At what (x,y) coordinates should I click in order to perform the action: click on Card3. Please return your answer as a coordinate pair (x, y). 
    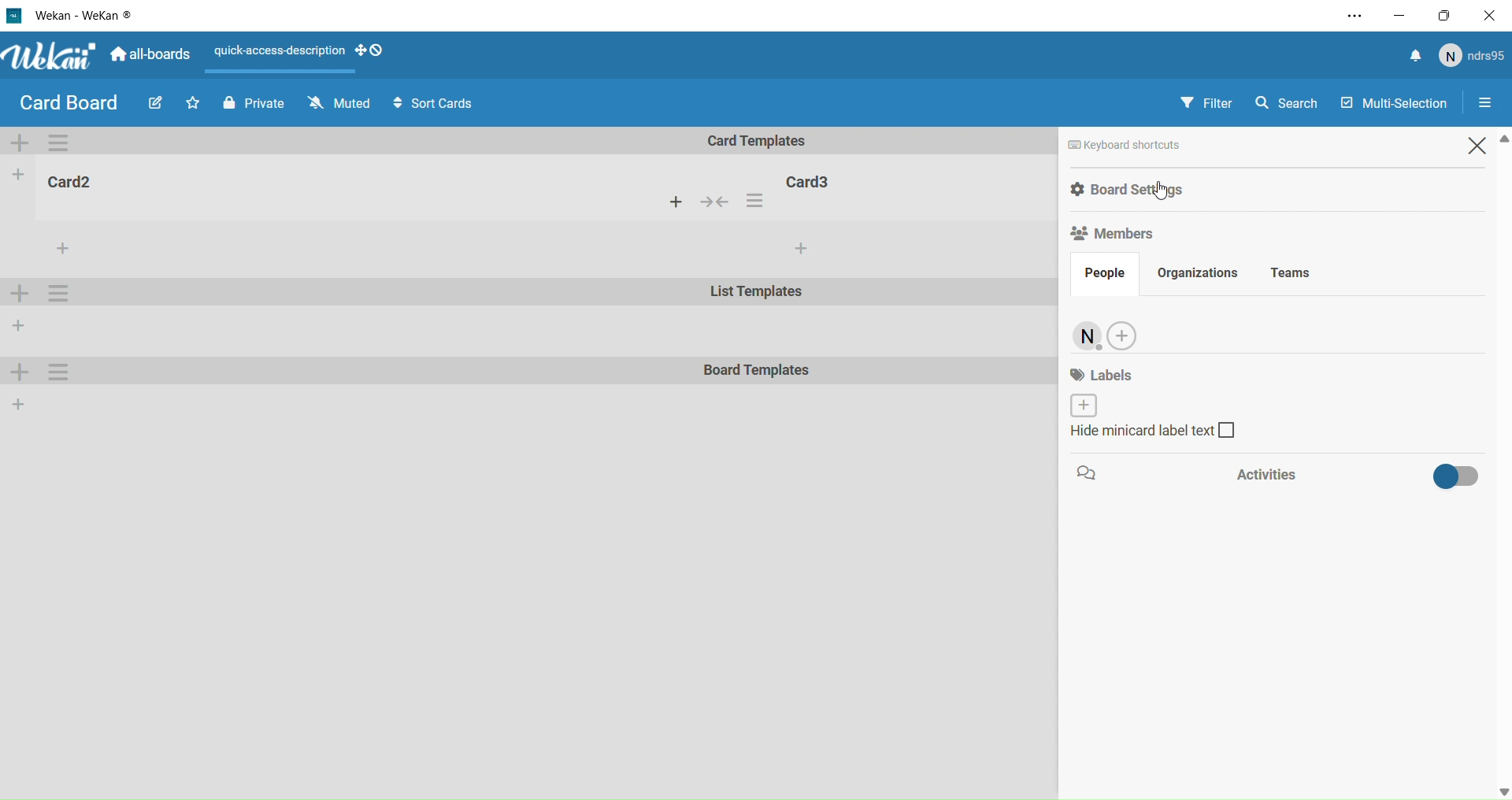
    Looking at the image, I should click on (812, 180).